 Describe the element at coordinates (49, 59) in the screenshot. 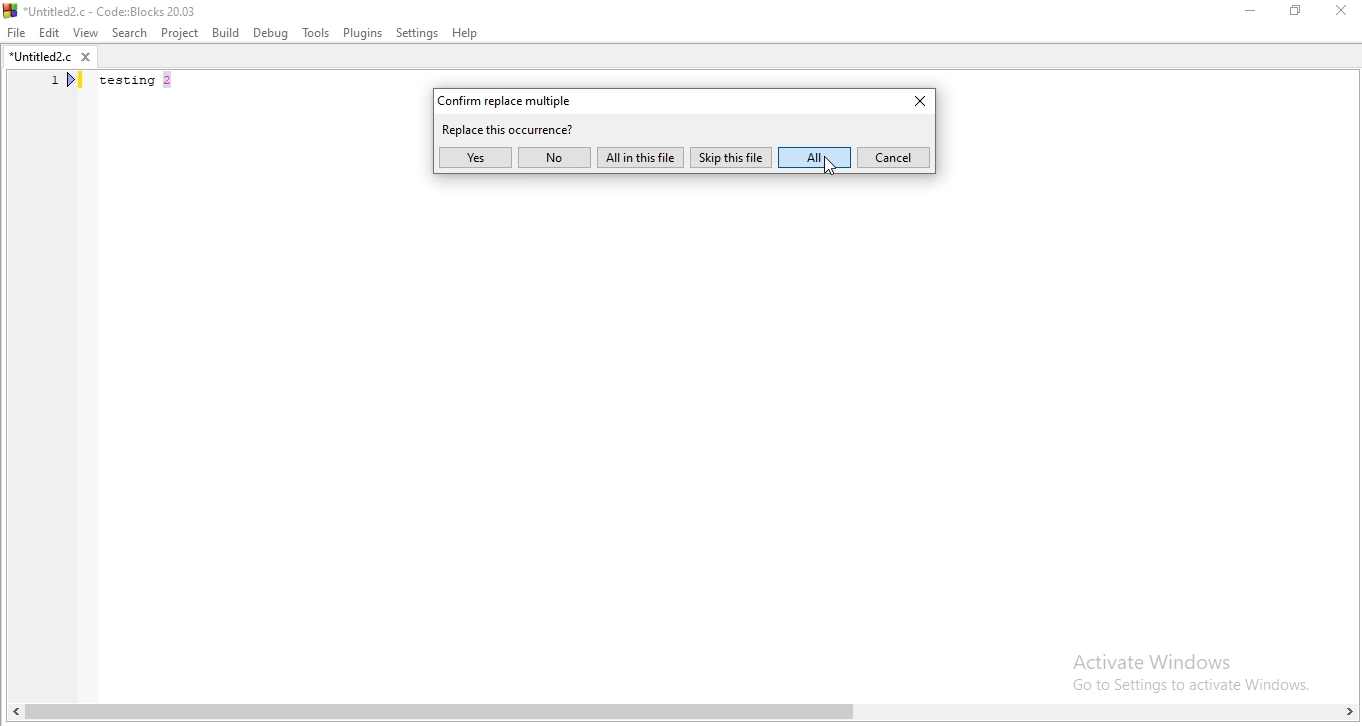

I see `*untitled2.c` at that location.